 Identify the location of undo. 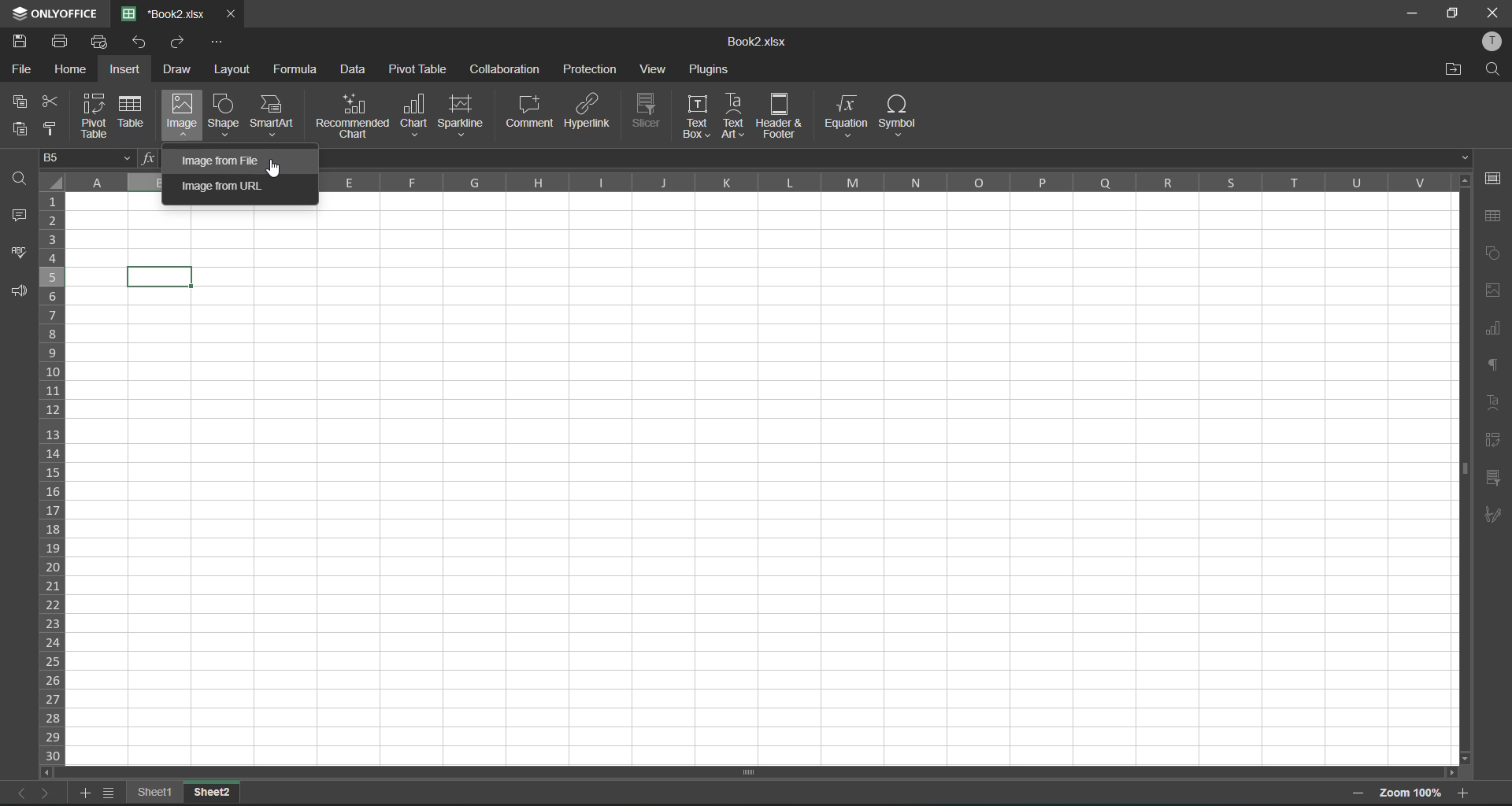
(142, 43).